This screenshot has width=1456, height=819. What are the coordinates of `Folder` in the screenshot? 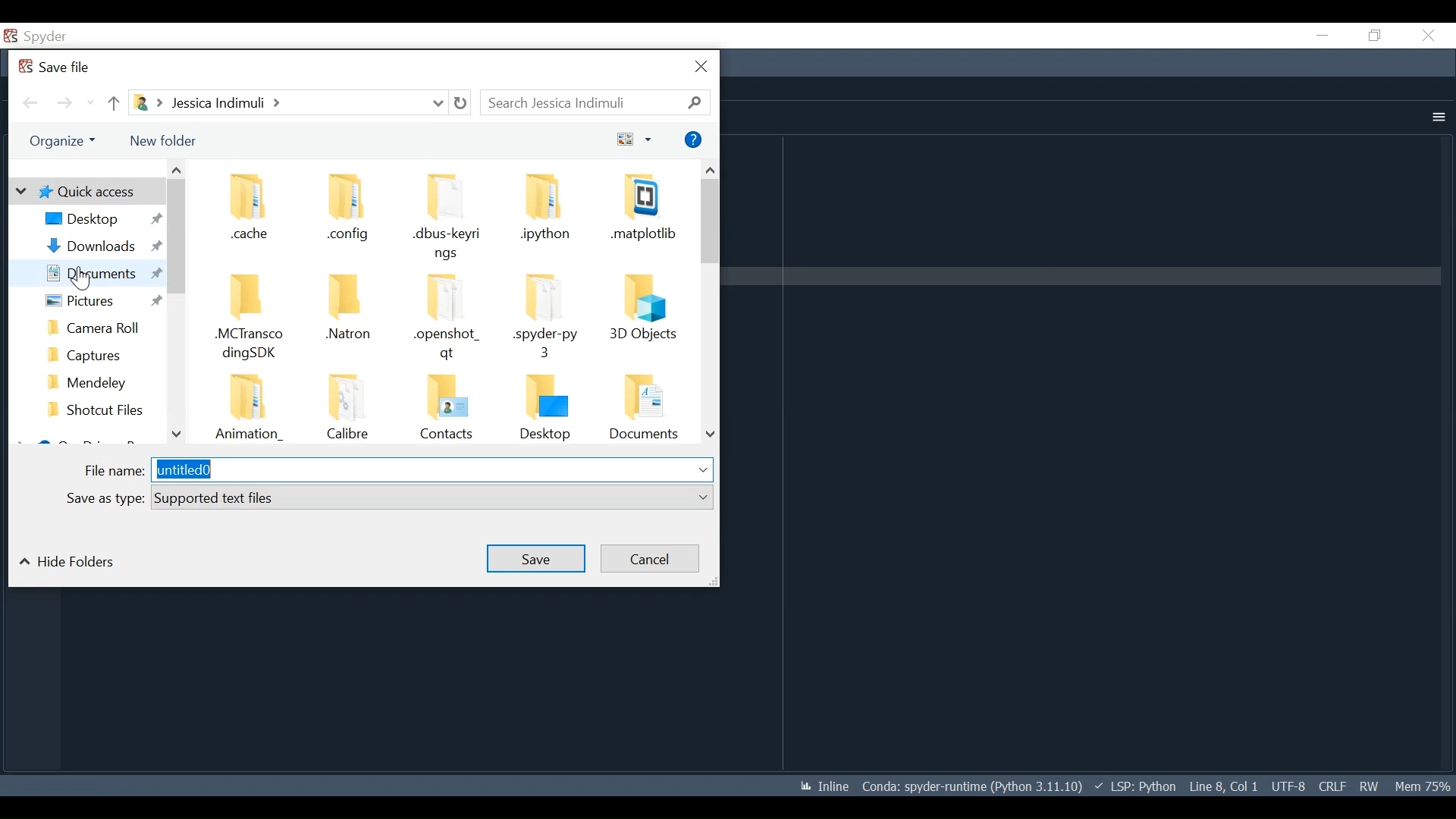 It's located at (447, 317).